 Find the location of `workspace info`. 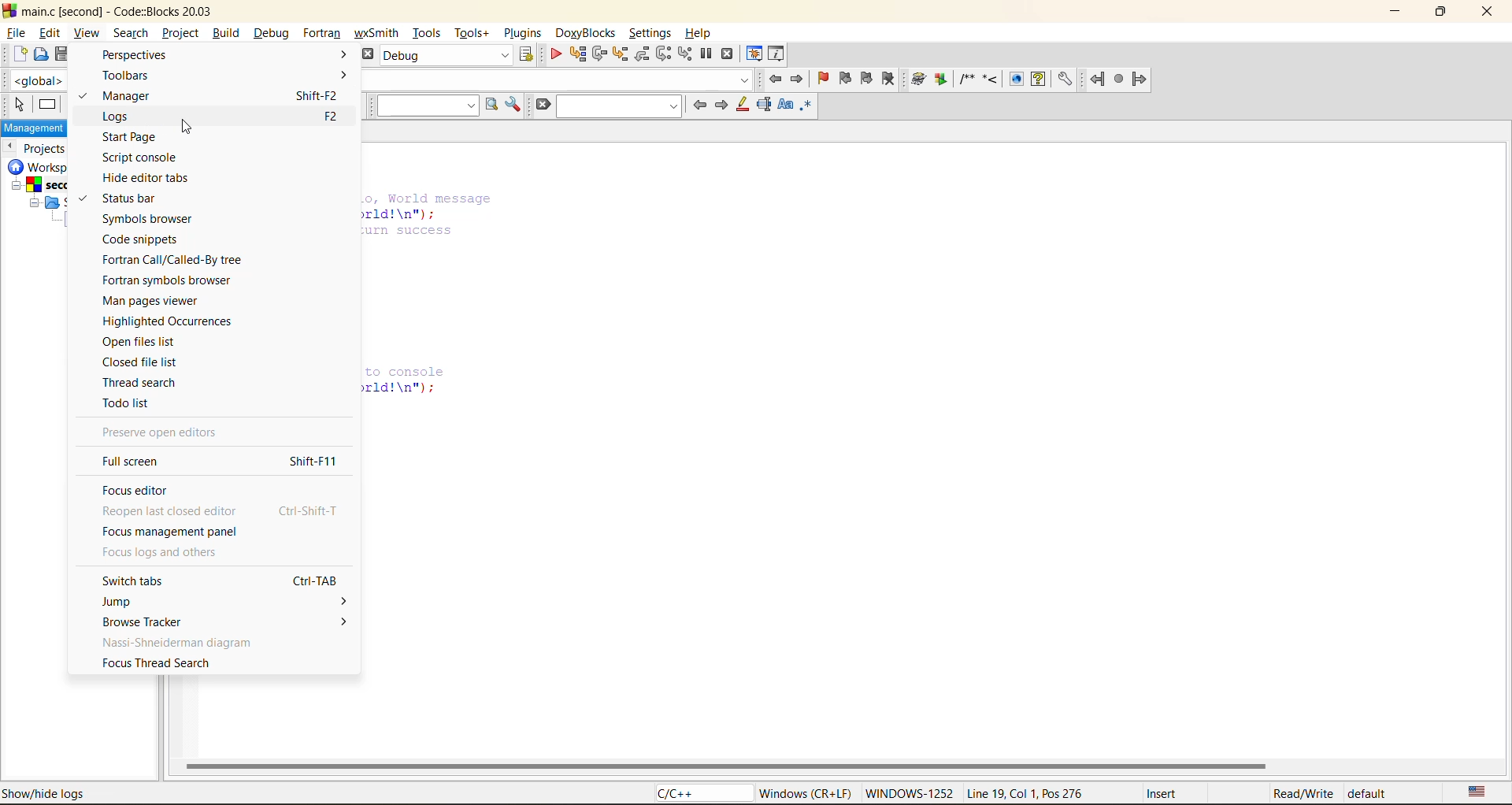

workspace info is located at coordinates (43, 199).